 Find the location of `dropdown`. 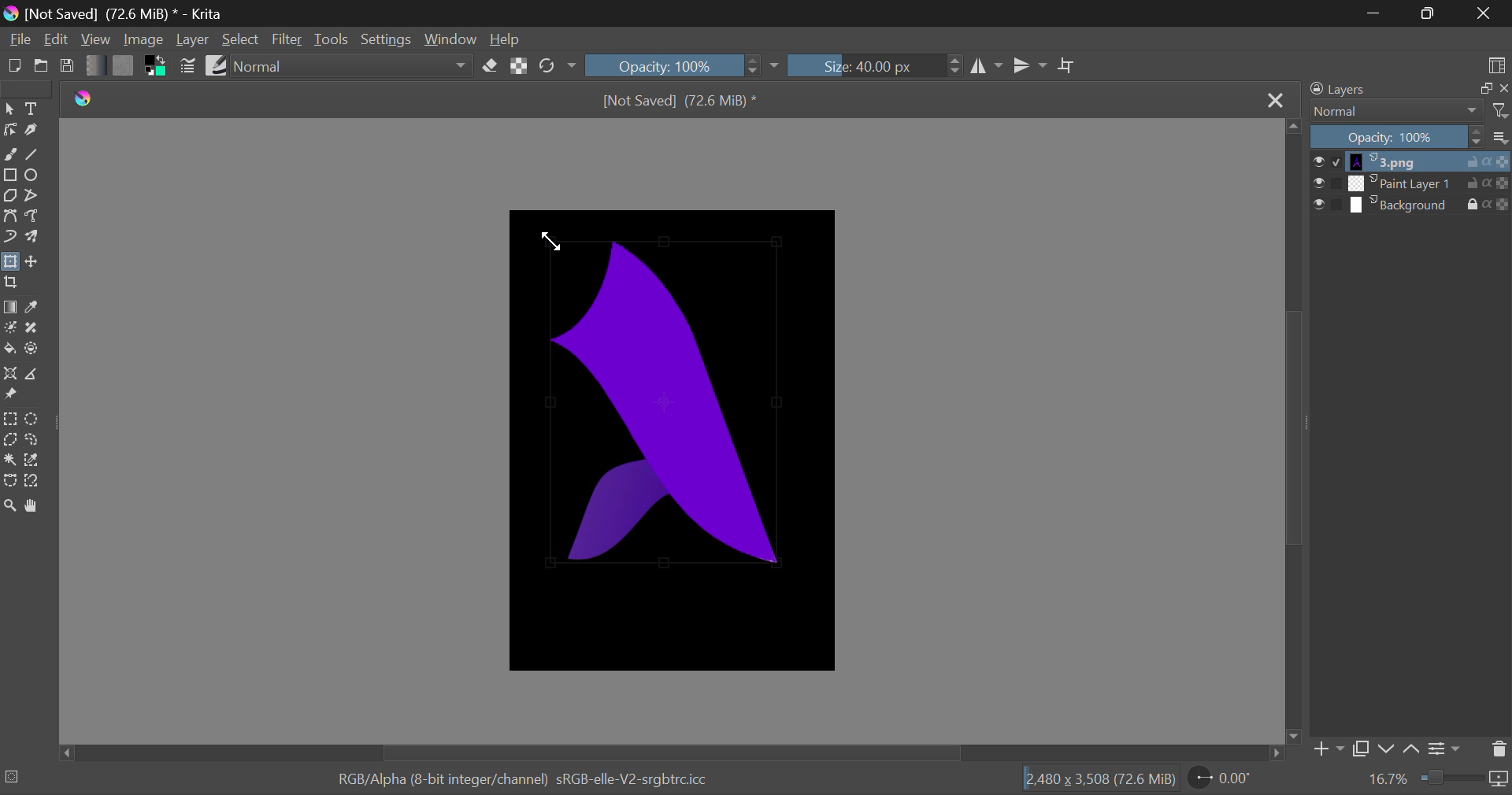

dropdown is located at coordinates (775, 65).